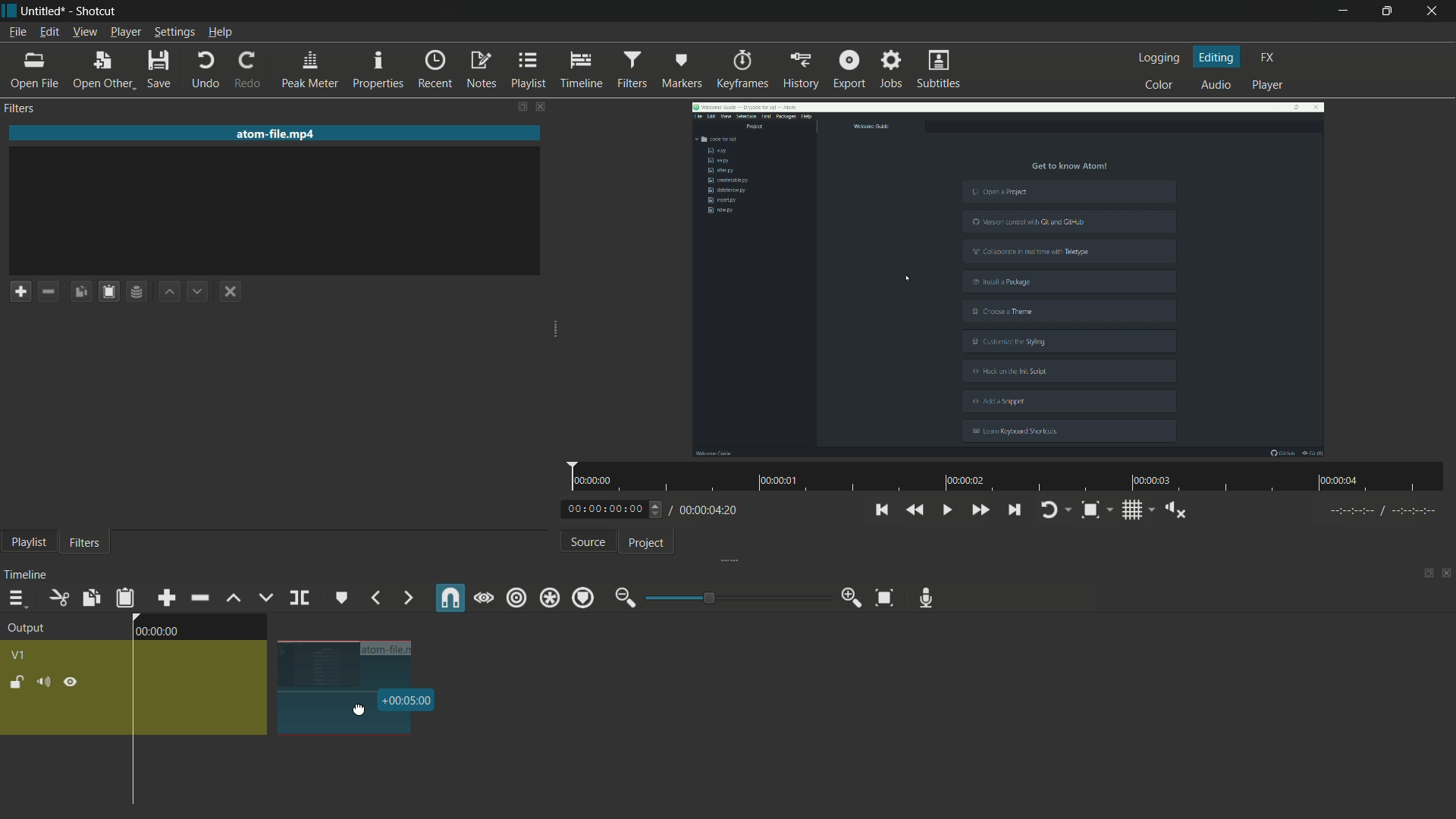 The width and height of the screenshot is (1456, 819). What do you see at coordinates (585, 541) in the screenshot?
I see `source` at bounding box center [585, 541].